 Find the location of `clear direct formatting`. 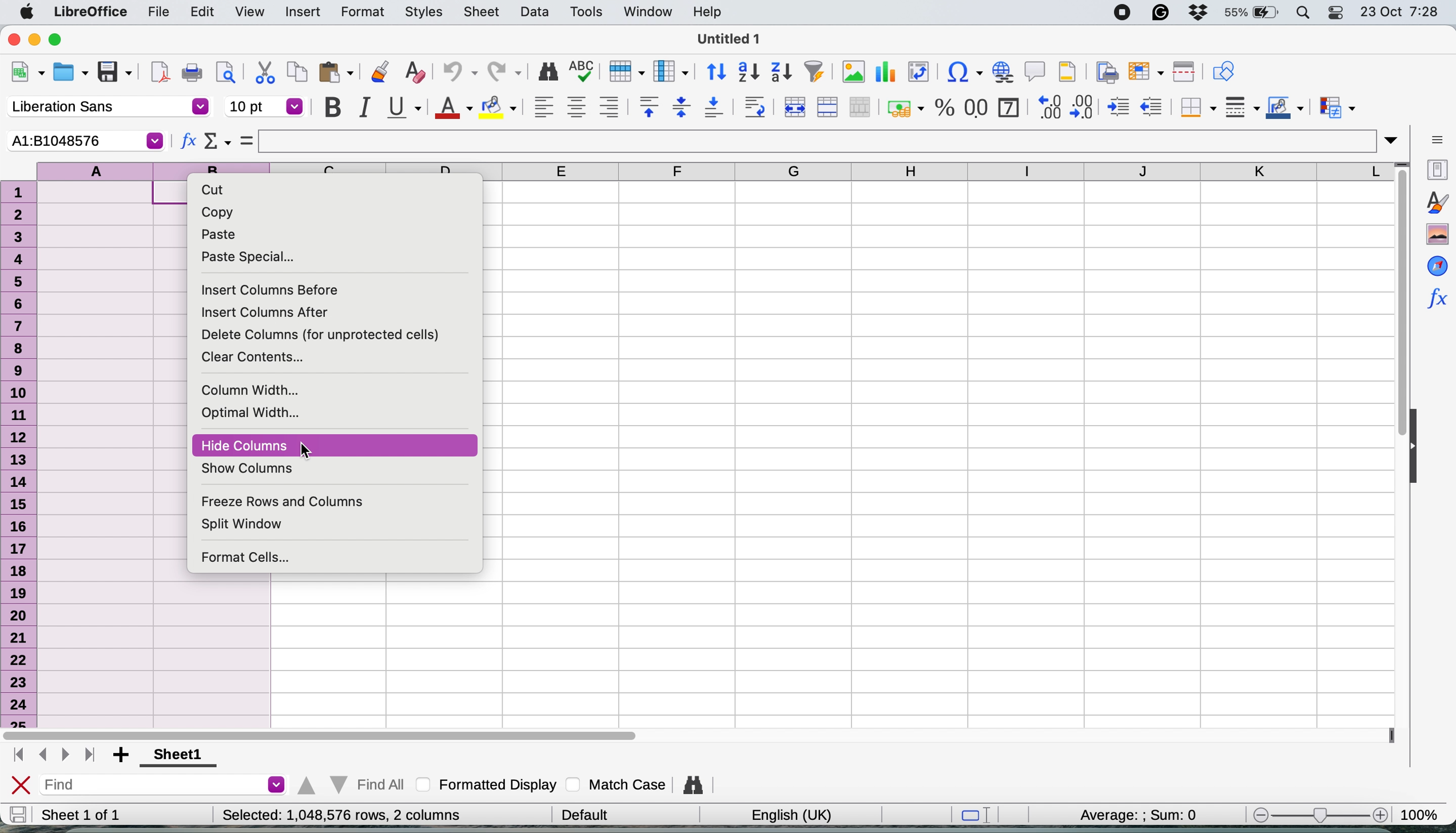

clear direct formatting is located at coordinates (415, 71).